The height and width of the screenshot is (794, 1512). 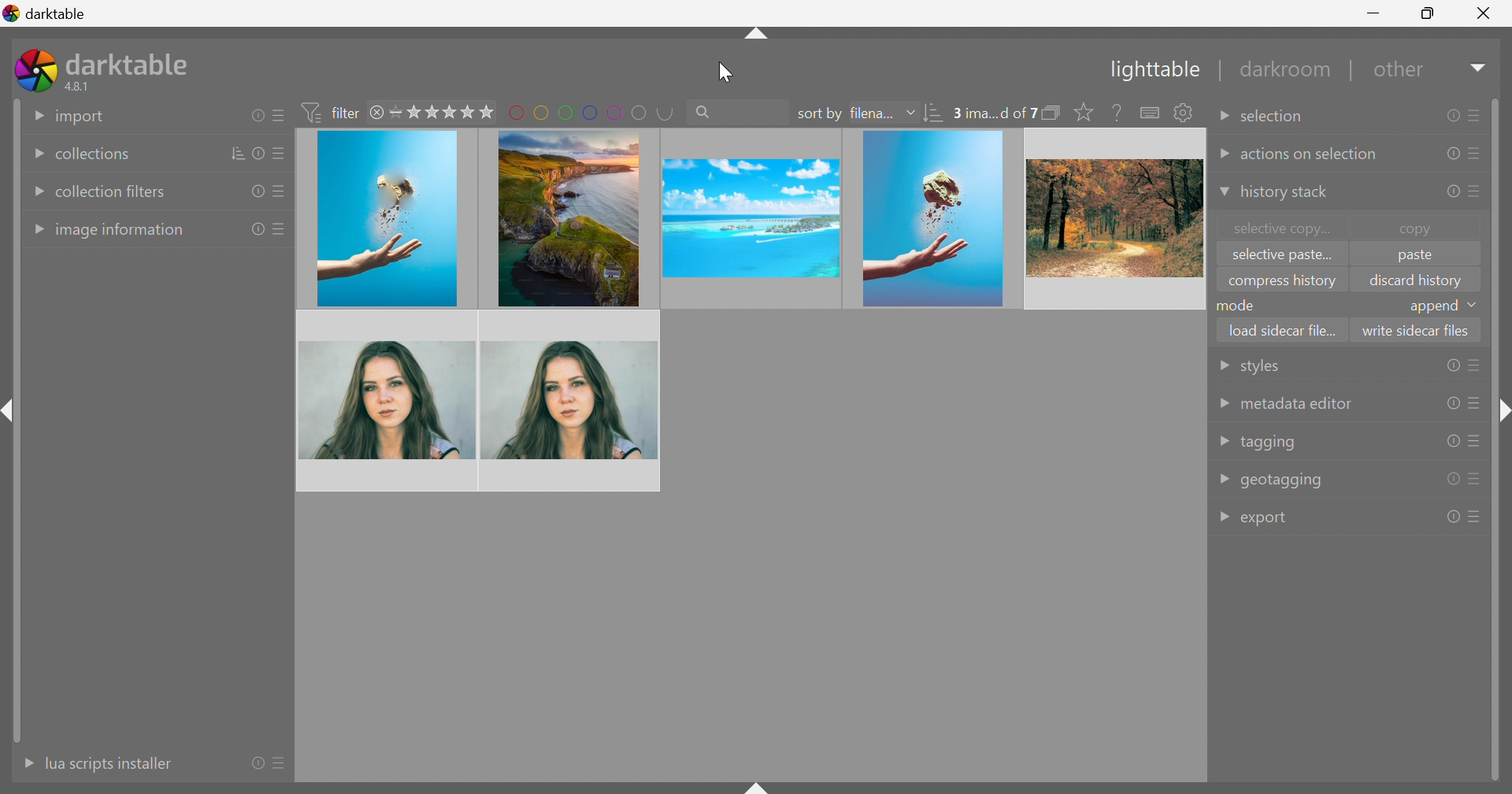 I want to click on Drop Down, so click(x=1224, y=477).